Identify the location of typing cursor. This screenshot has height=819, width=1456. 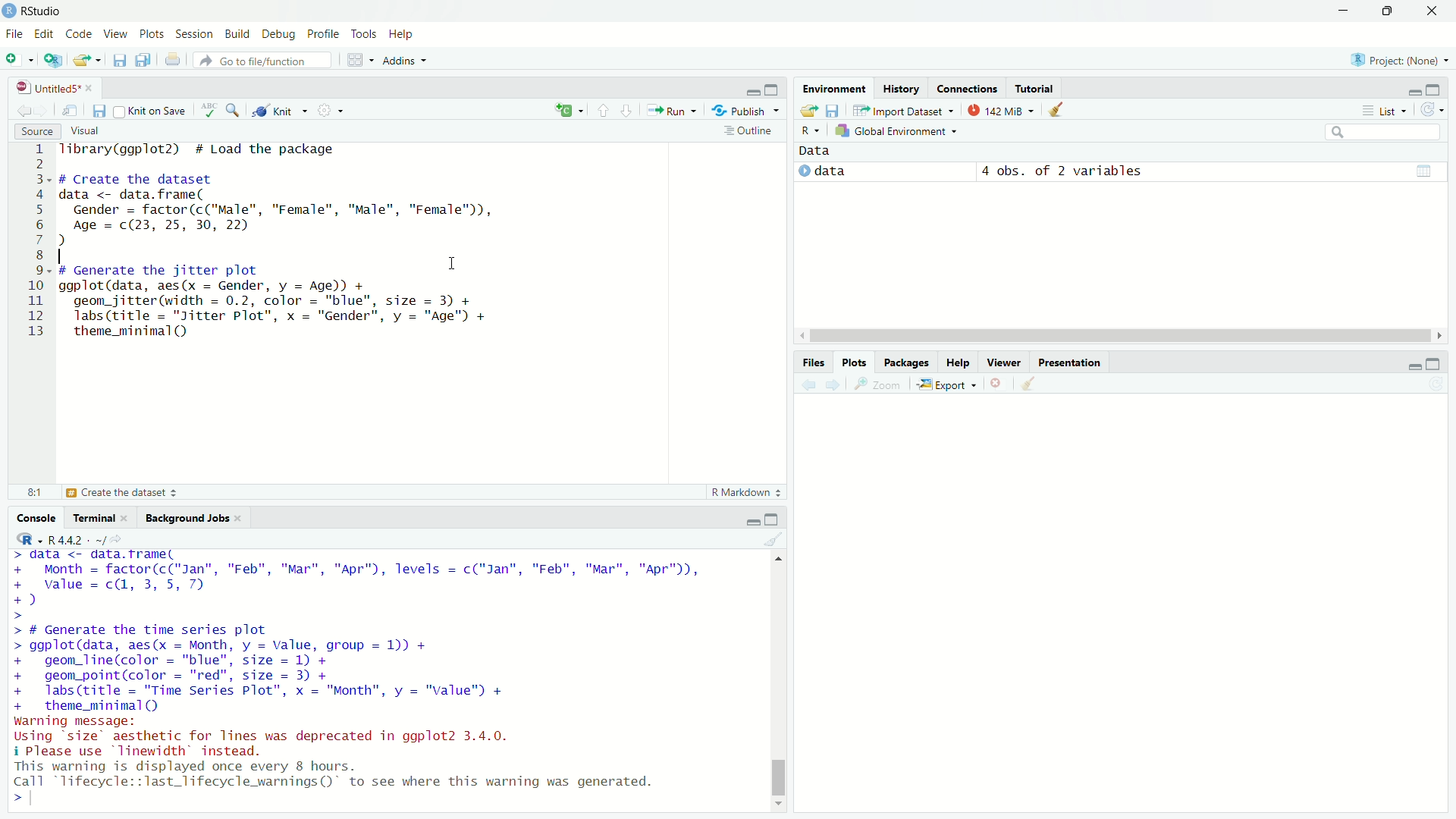
(44, 803).